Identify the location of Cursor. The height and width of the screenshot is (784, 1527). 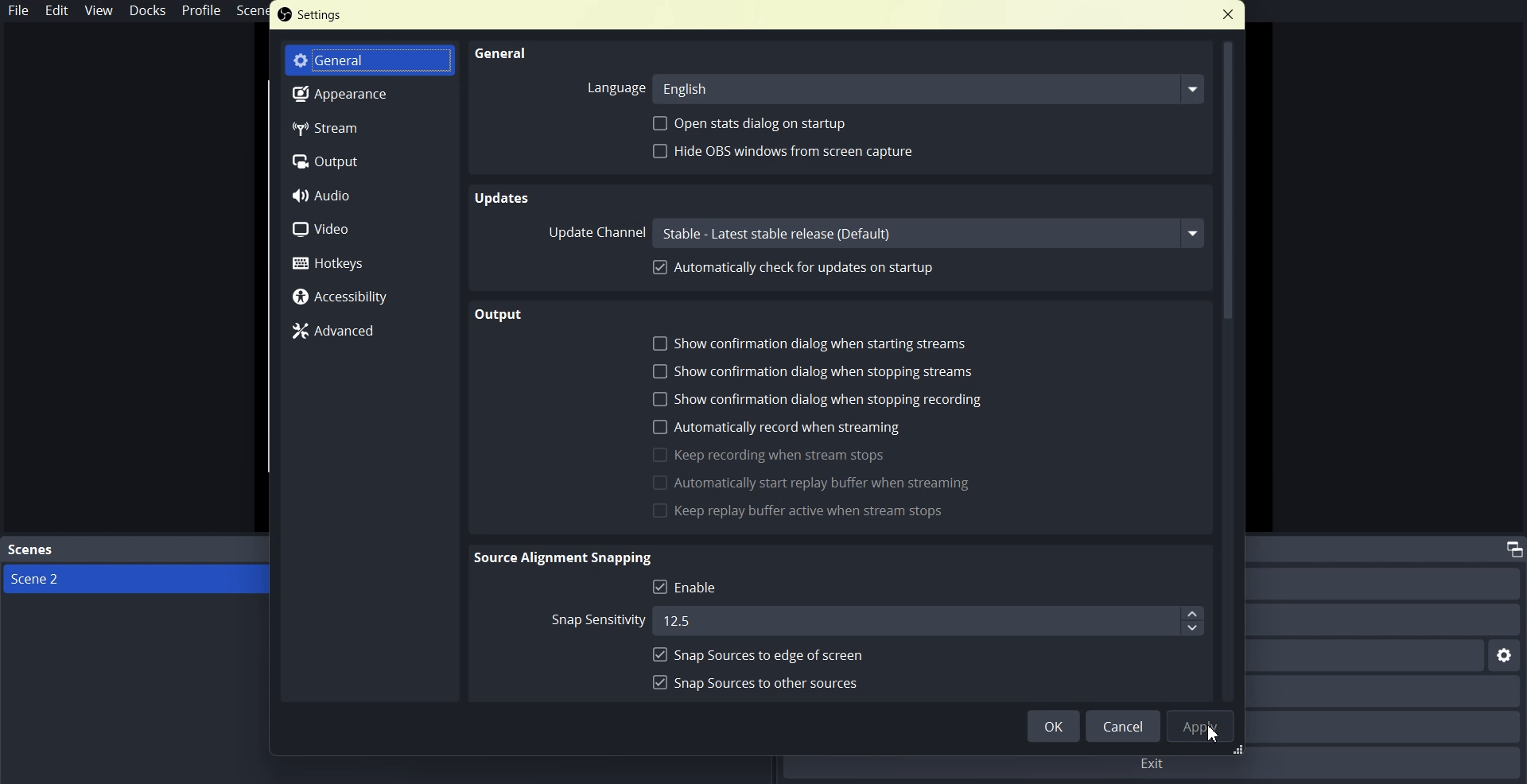
(1214, 732).